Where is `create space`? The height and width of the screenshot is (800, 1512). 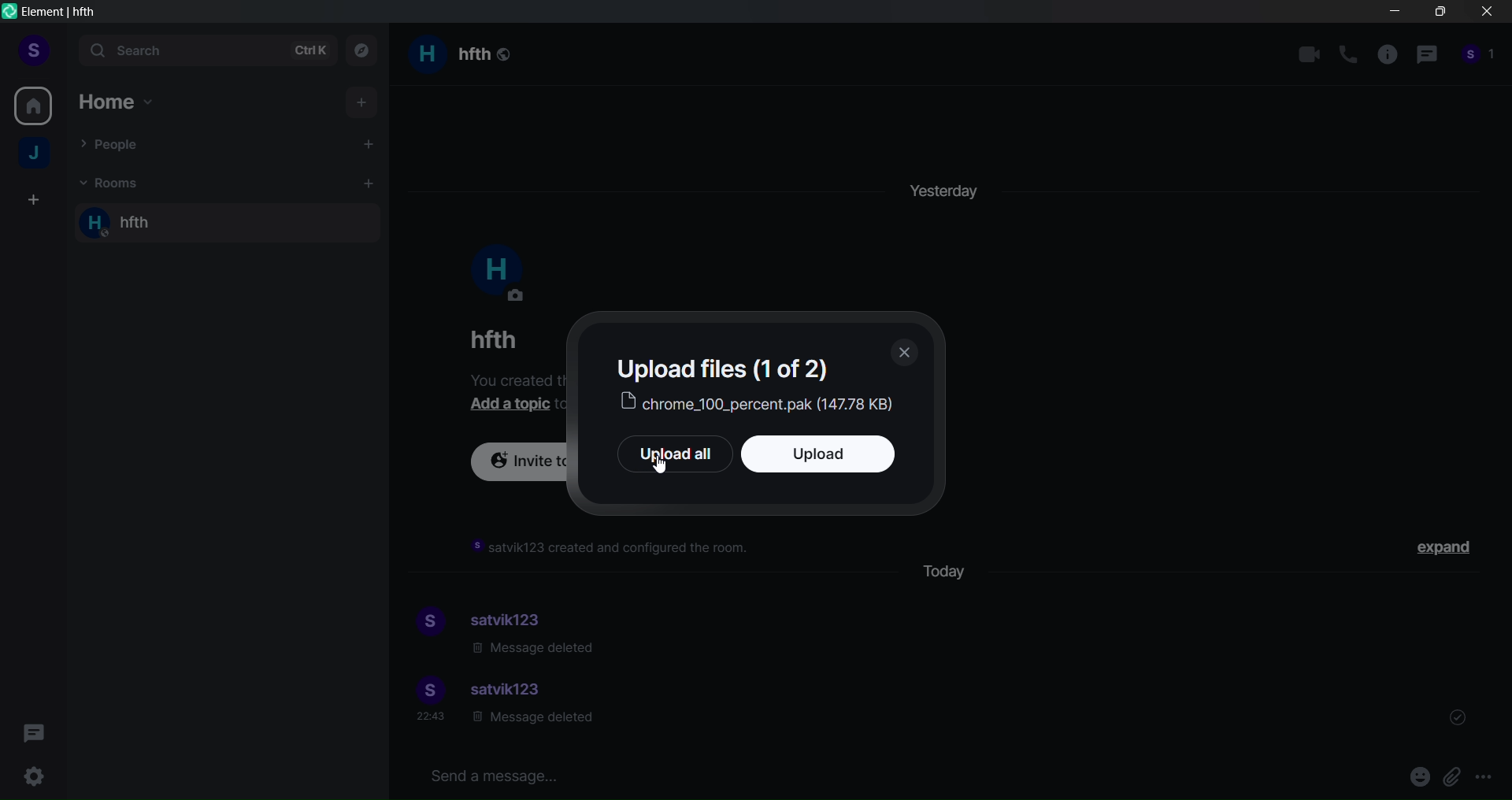
create space is located at coordinates (31, 201).